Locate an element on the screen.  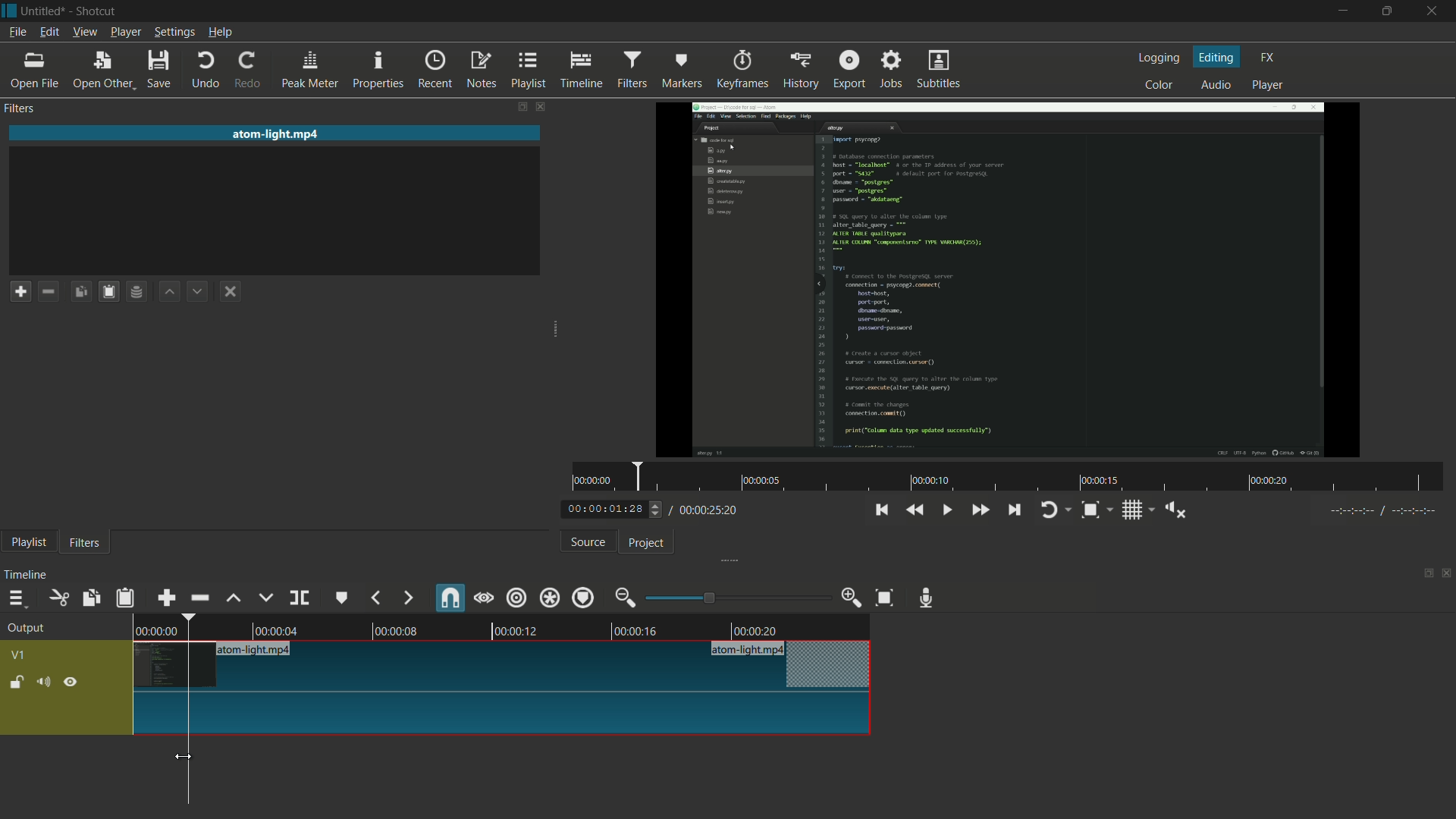
color is located at coordinates (1159, 83).